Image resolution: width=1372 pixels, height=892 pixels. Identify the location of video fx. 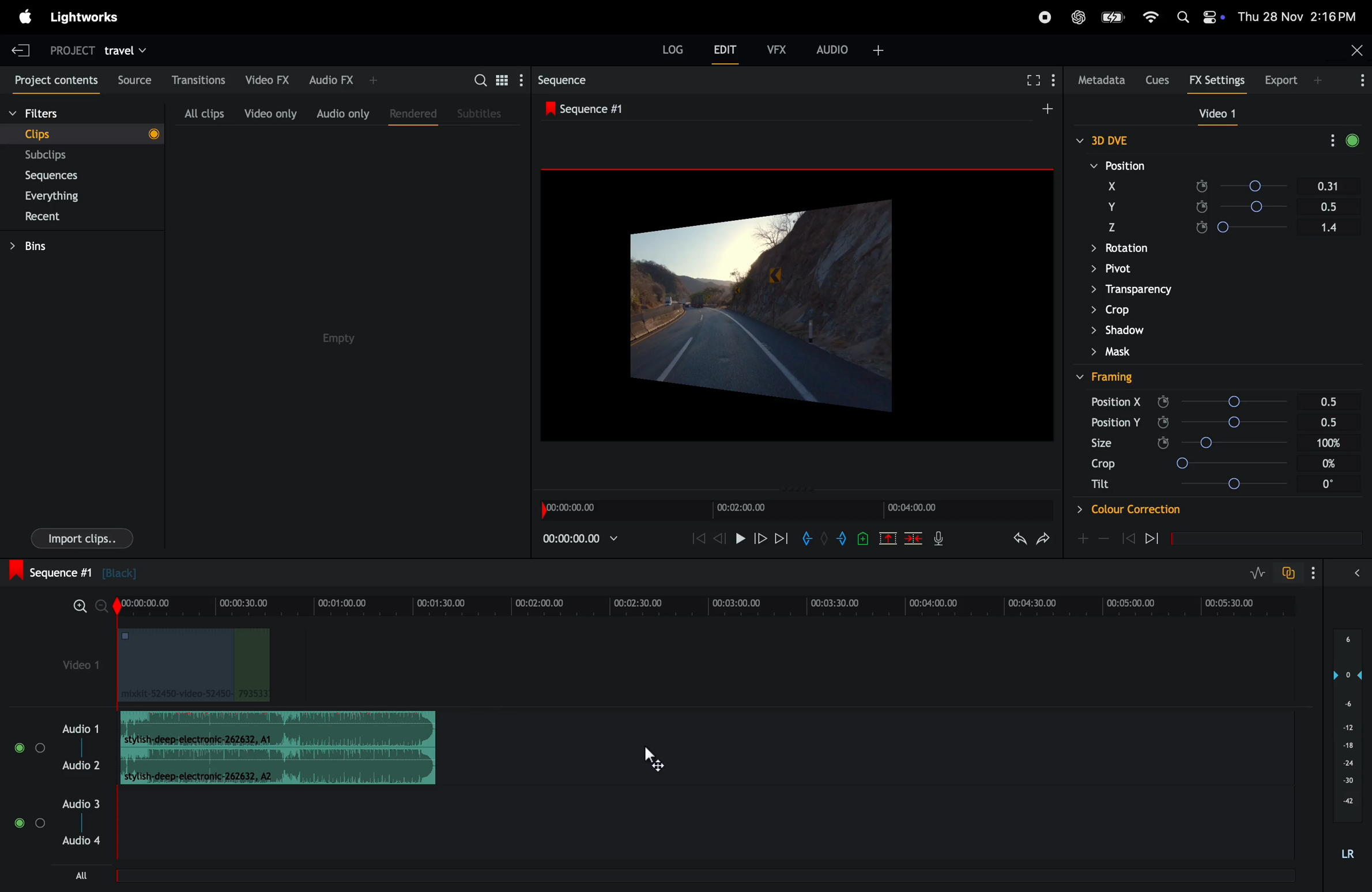
(265, 78).